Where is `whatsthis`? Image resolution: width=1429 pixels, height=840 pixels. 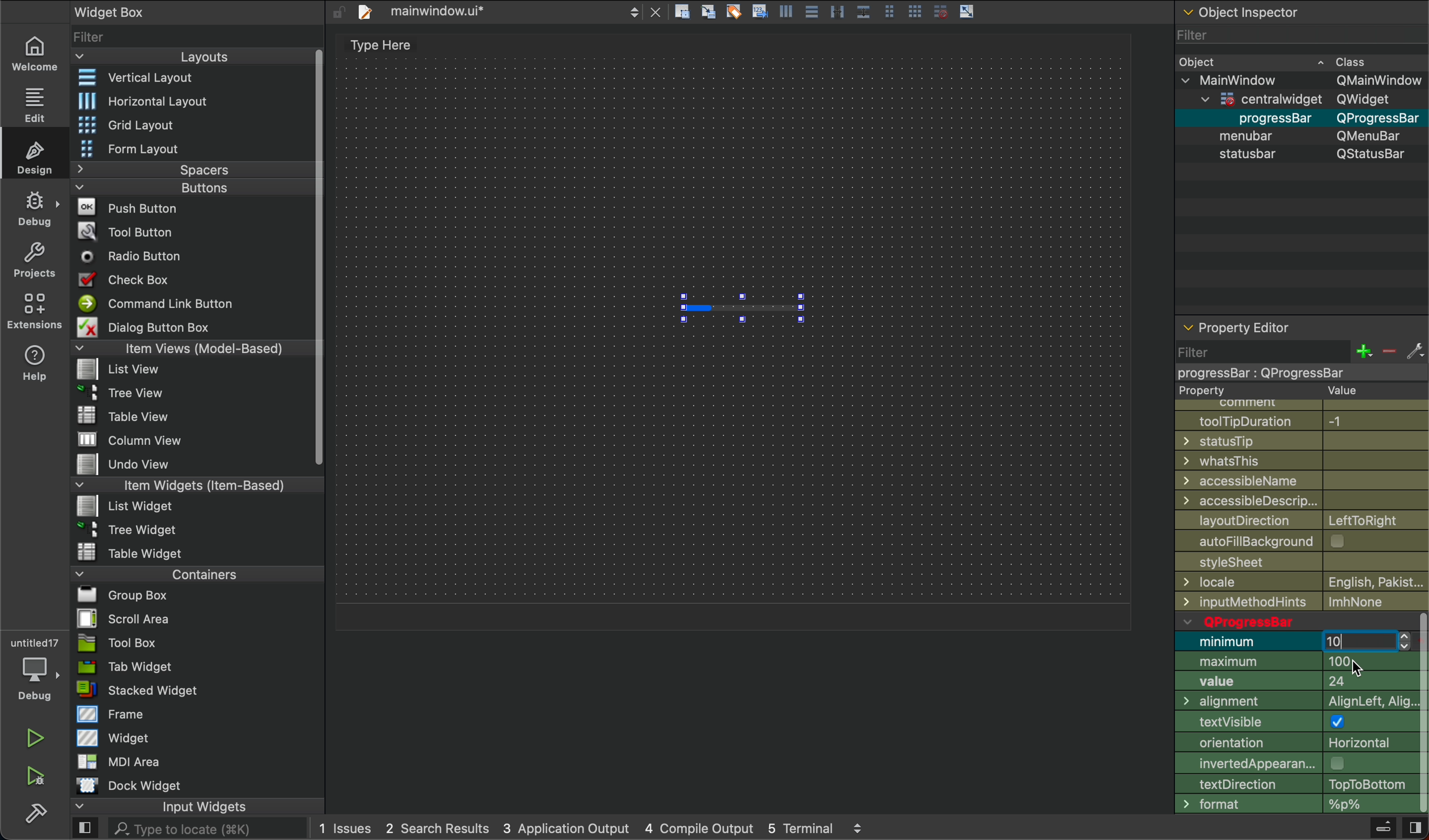
whatsthis is located at coordinates (1303, 461).